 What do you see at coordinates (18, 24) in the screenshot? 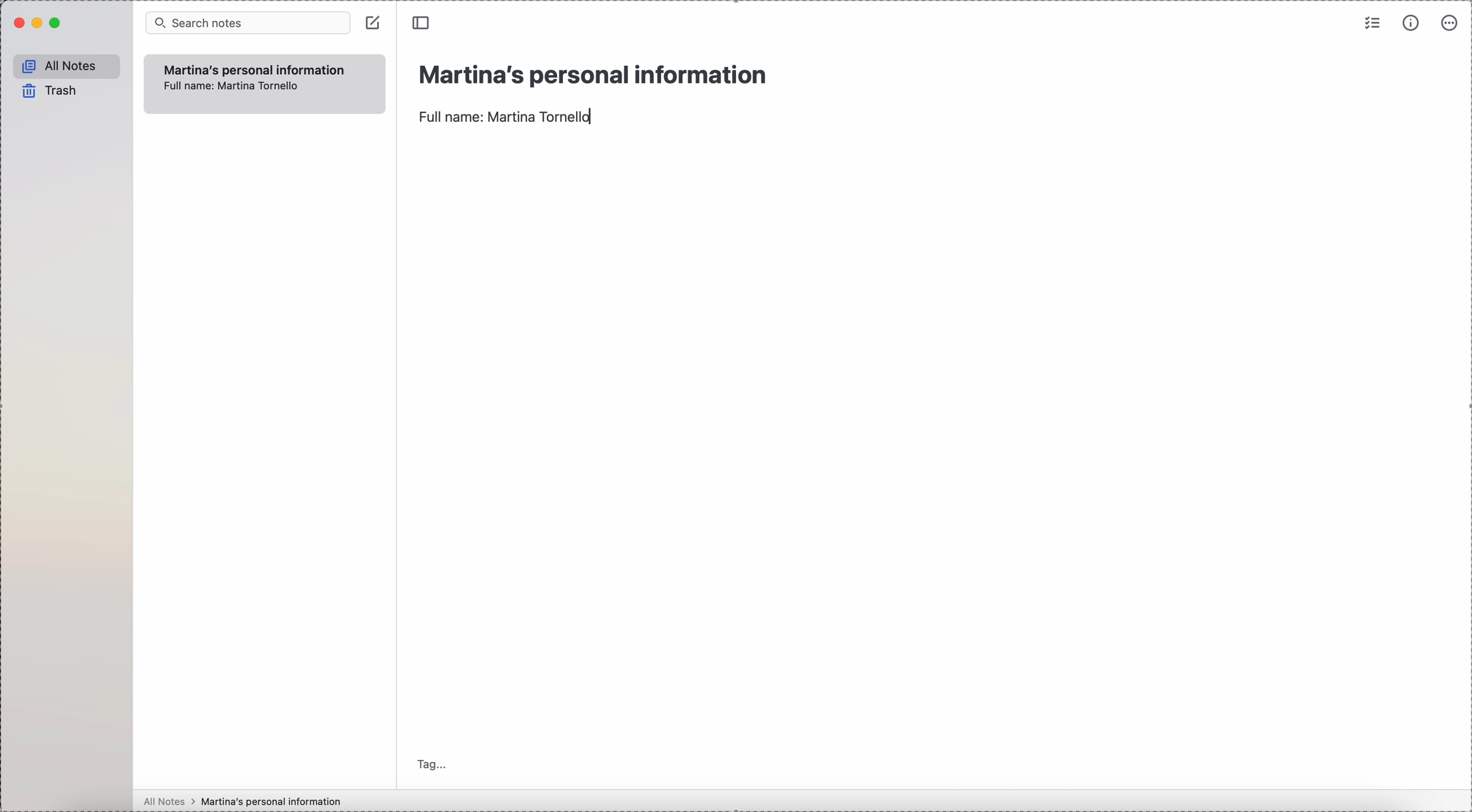
I see `close Simplenote` at bounding box center [18, 24].